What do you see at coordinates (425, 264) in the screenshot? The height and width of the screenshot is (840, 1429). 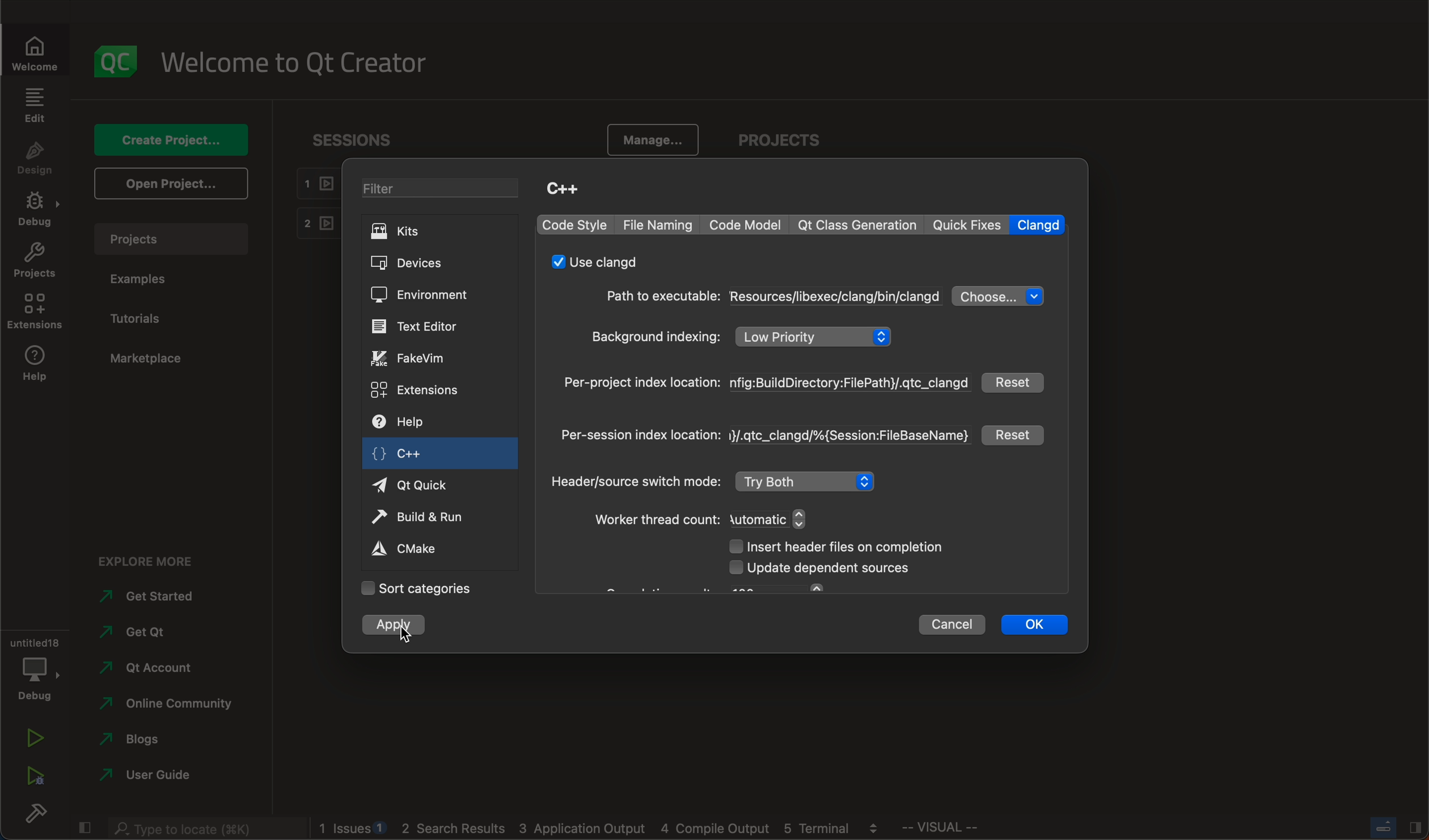 I see `DEVICES` at bounding box center [425, 264].